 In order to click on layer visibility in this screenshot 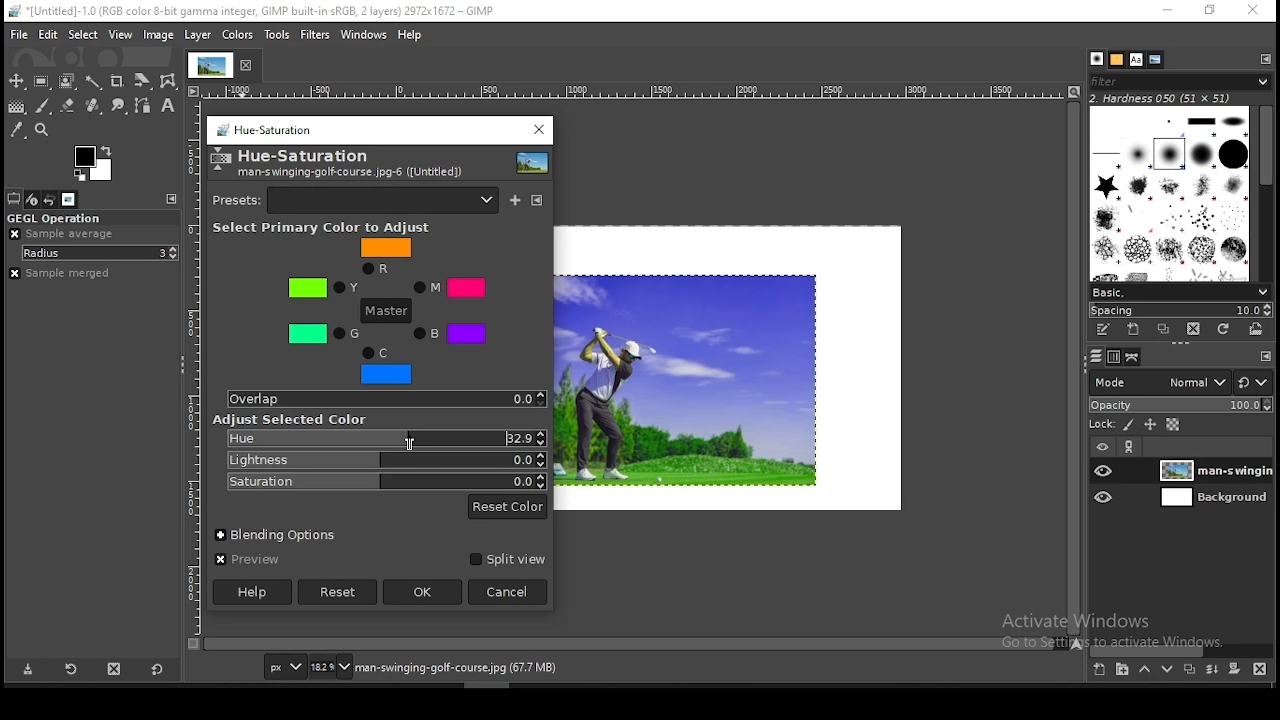, I will do `click(1101, 448)`.